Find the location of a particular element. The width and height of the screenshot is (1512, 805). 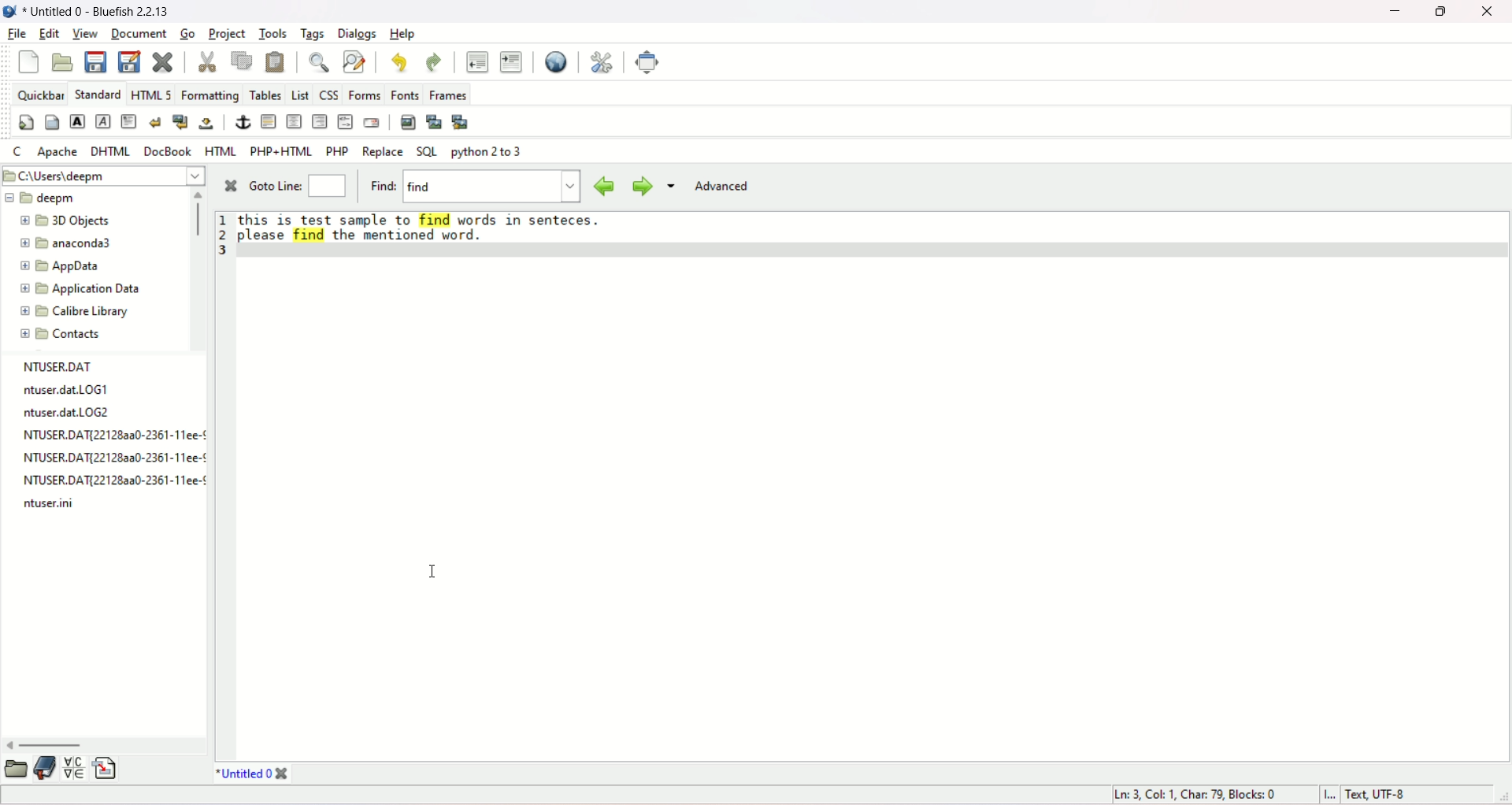

text is located at coordinates (324, 220).